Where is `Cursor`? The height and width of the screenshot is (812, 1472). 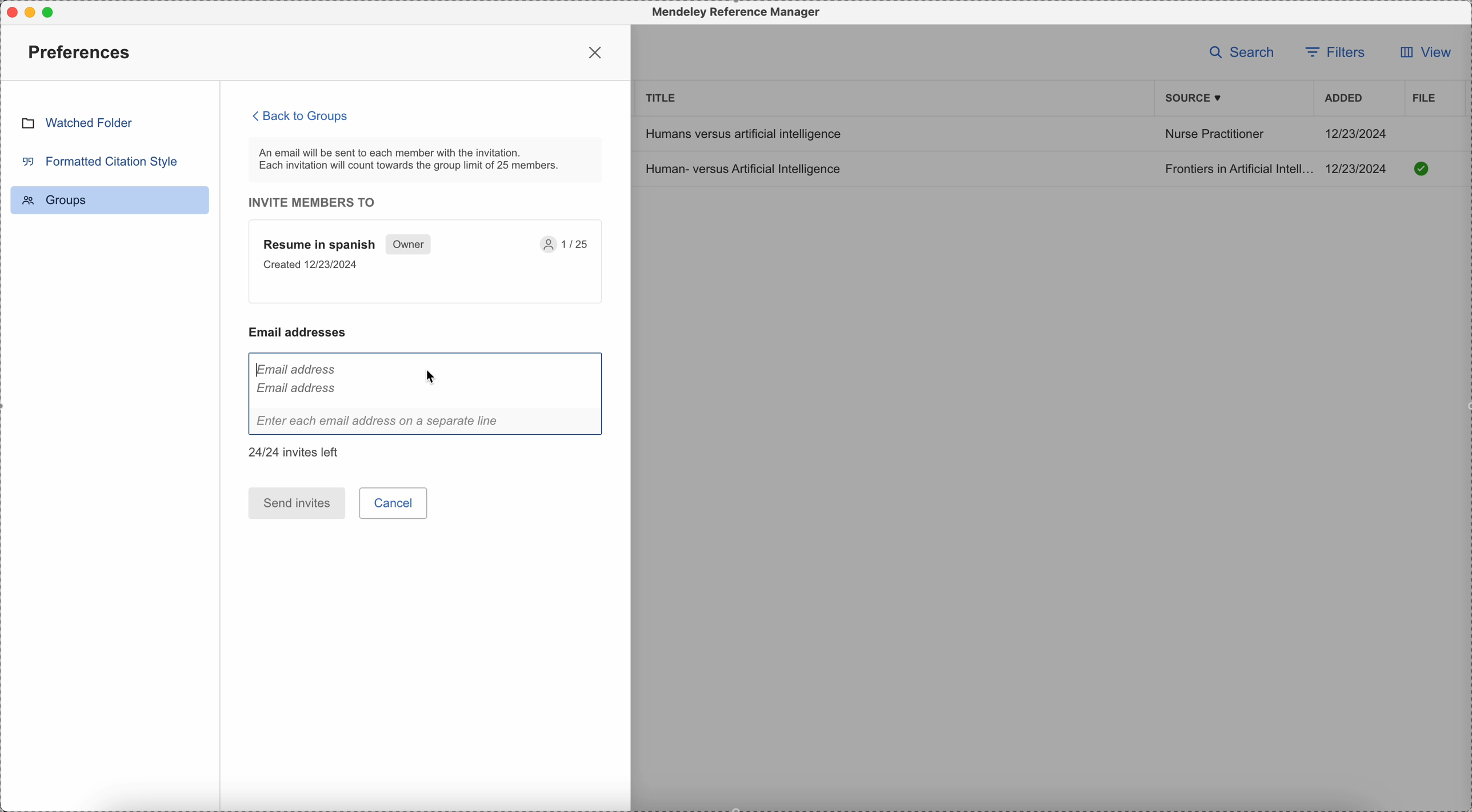
Cursor is located at coordinates (472, 375).